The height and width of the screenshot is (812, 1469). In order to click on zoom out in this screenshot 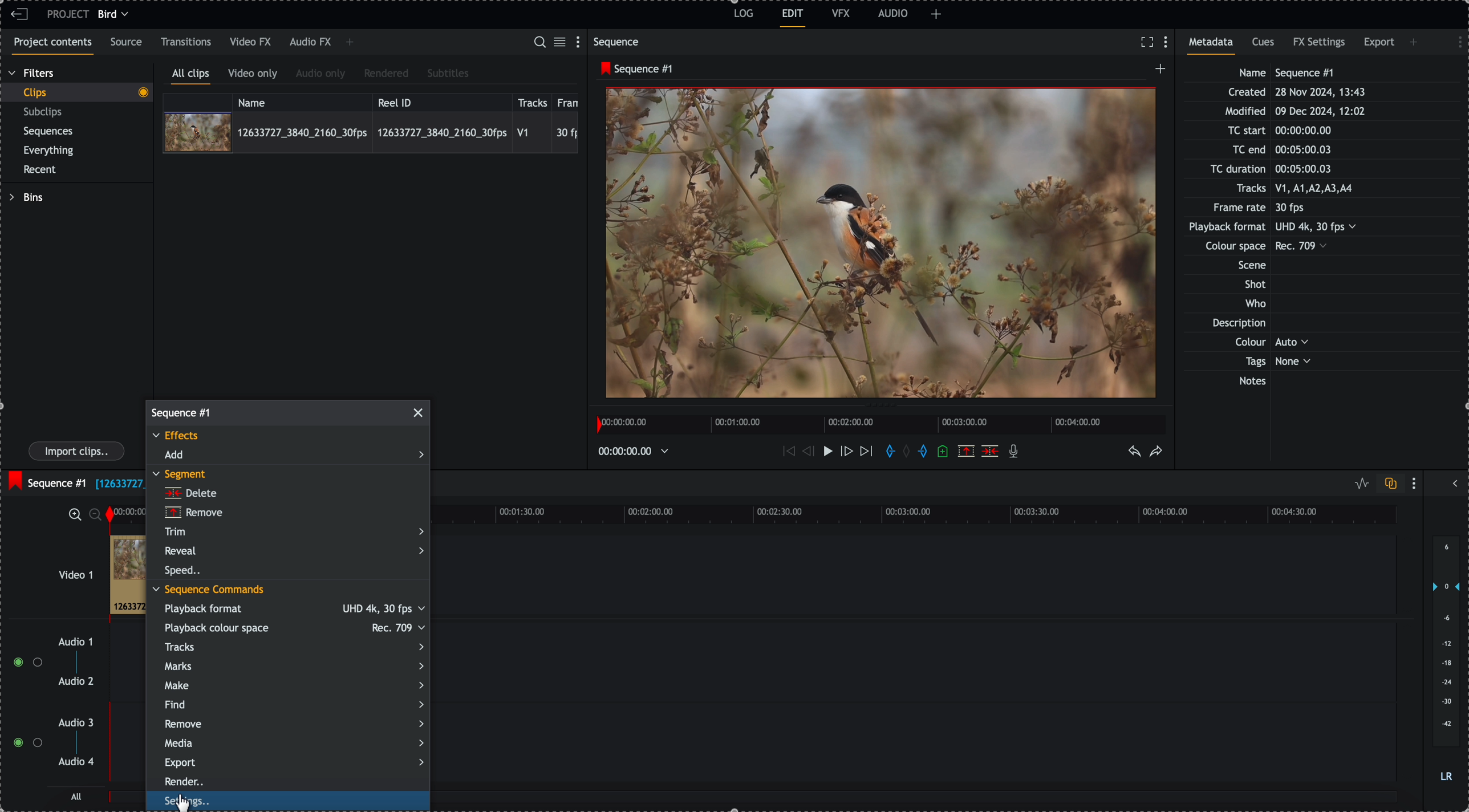, I will do `click(96, 514)`.